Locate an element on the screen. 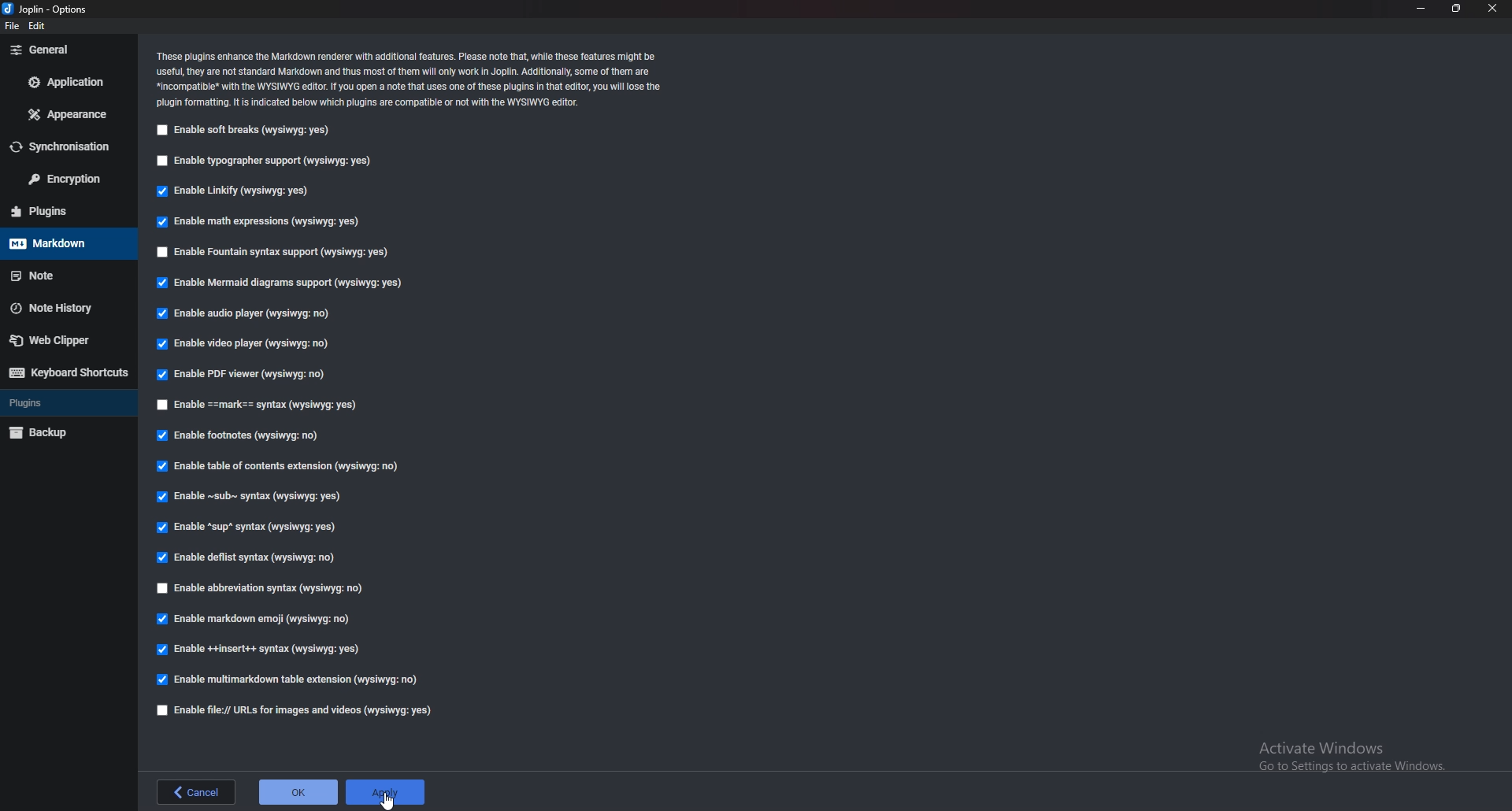 This screenshot has width=1512, height=811. Enable markdown emoji is located at coordinates (259, 617).